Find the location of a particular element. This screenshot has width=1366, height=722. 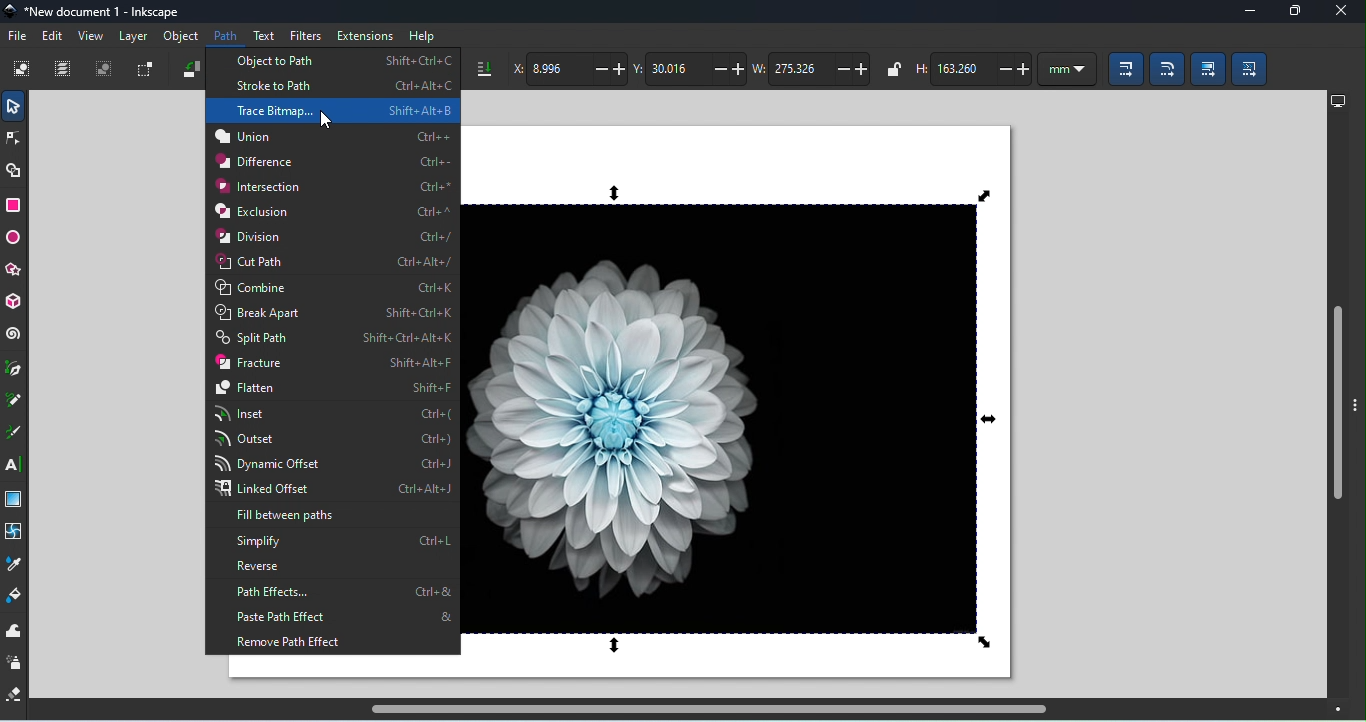

Height of the selection is located at coordinates (973, 70).